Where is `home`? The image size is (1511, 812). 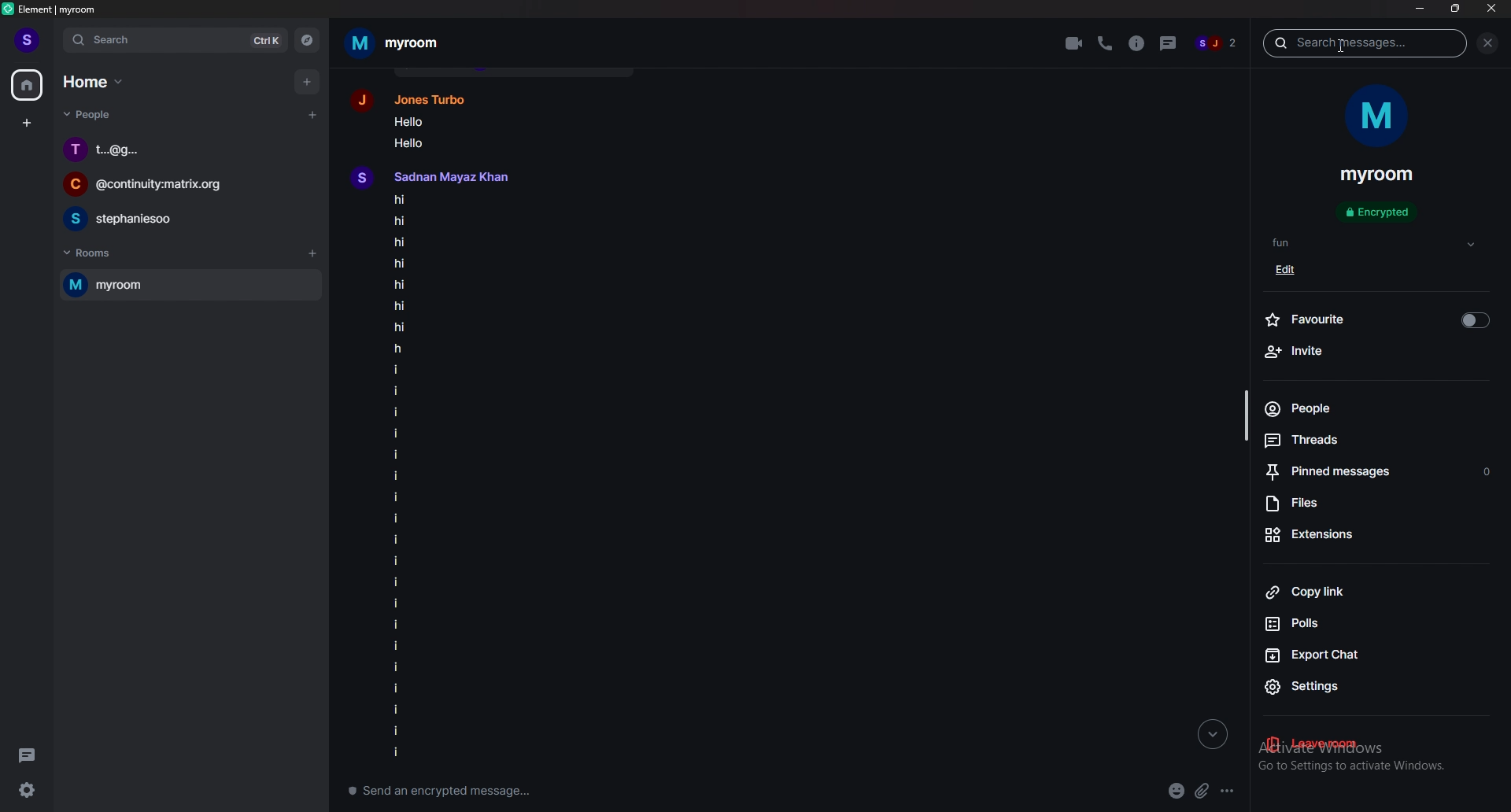
home is located at coordinates (28, 84).